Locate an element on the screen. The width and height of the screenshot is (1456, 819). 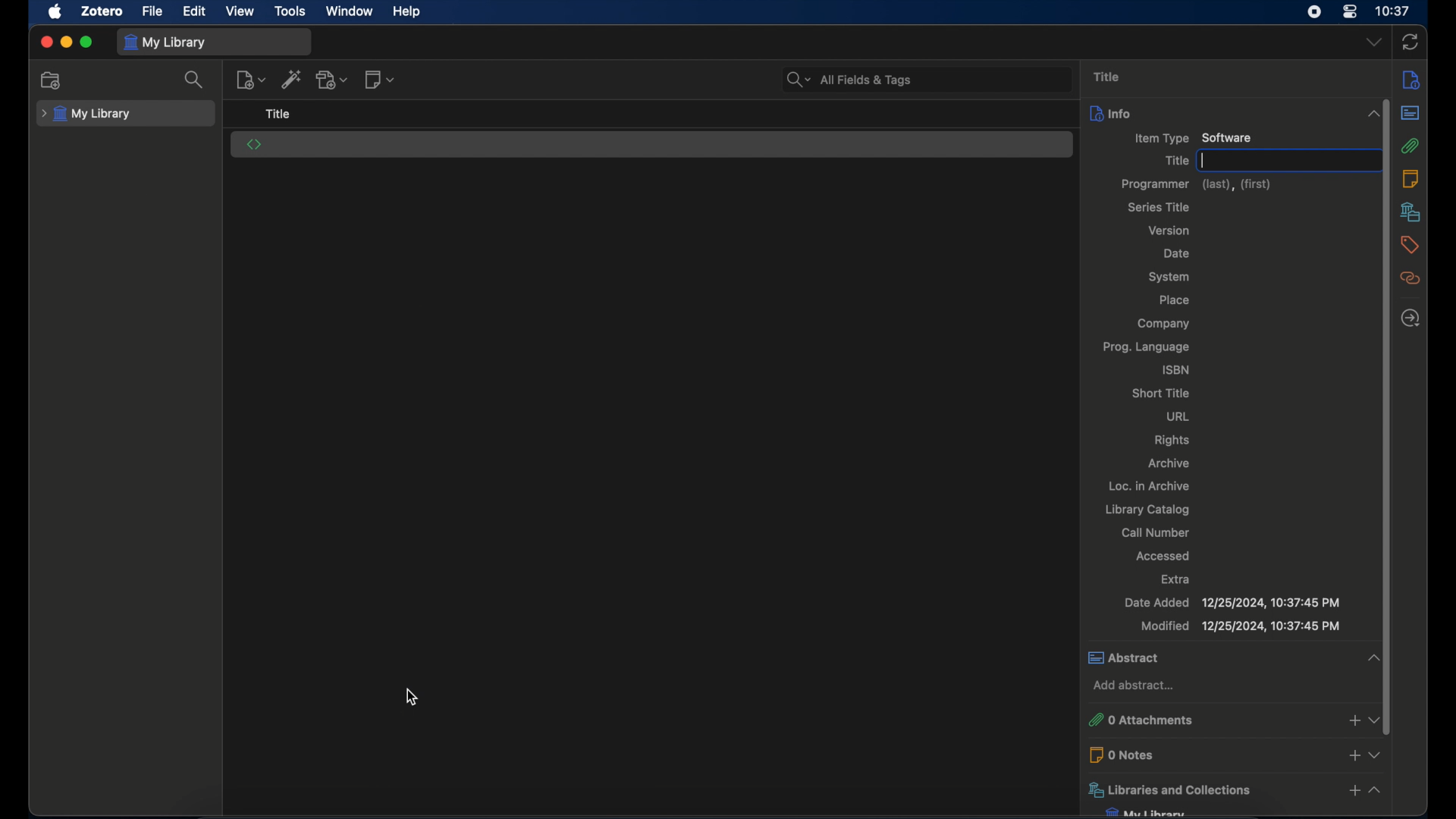
loc. in archive is located at coordinates (1150, 485).